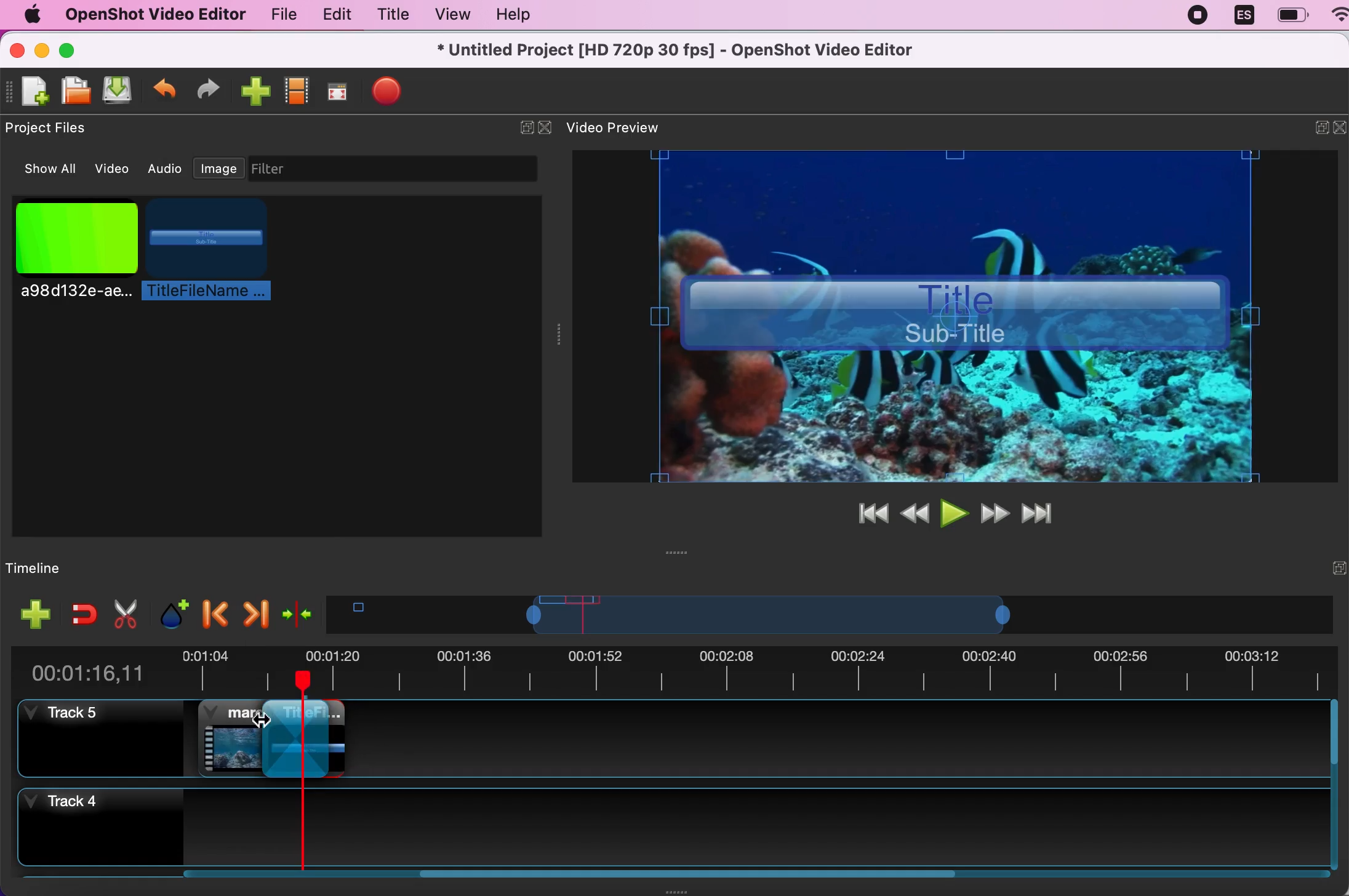 This screenshot has width=1349, height=896. What do you see at coordinates (214, 89) in the screenshot?
I see `redo` at bounding box center [214, 89].